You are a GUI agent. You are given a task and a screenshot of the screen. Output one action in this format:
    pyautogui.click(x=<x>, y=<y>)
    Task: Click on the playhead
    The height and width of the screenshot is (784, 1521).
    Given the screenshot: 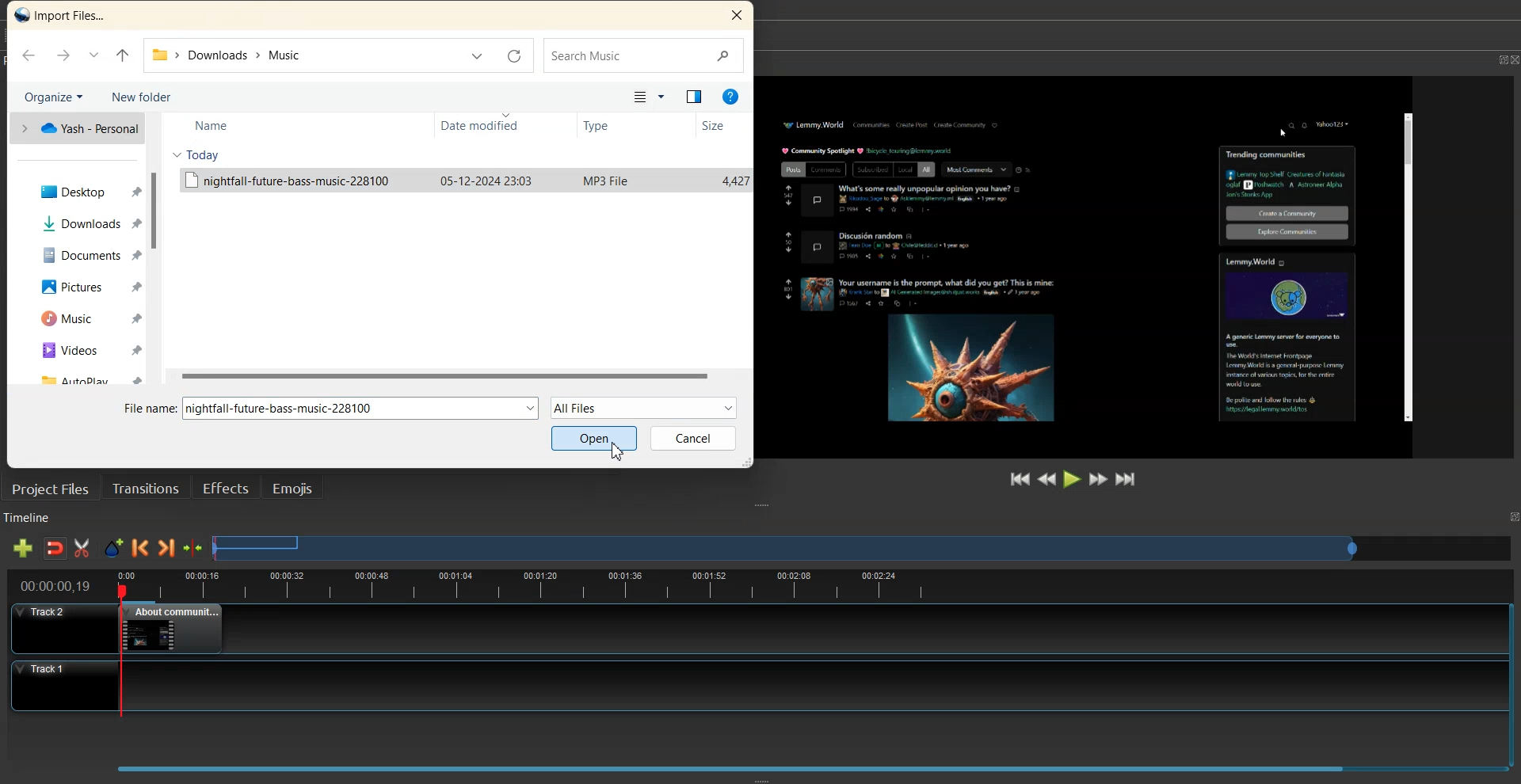 What is the action you would take?
    pyautogui.click(x=120, y=647)
    